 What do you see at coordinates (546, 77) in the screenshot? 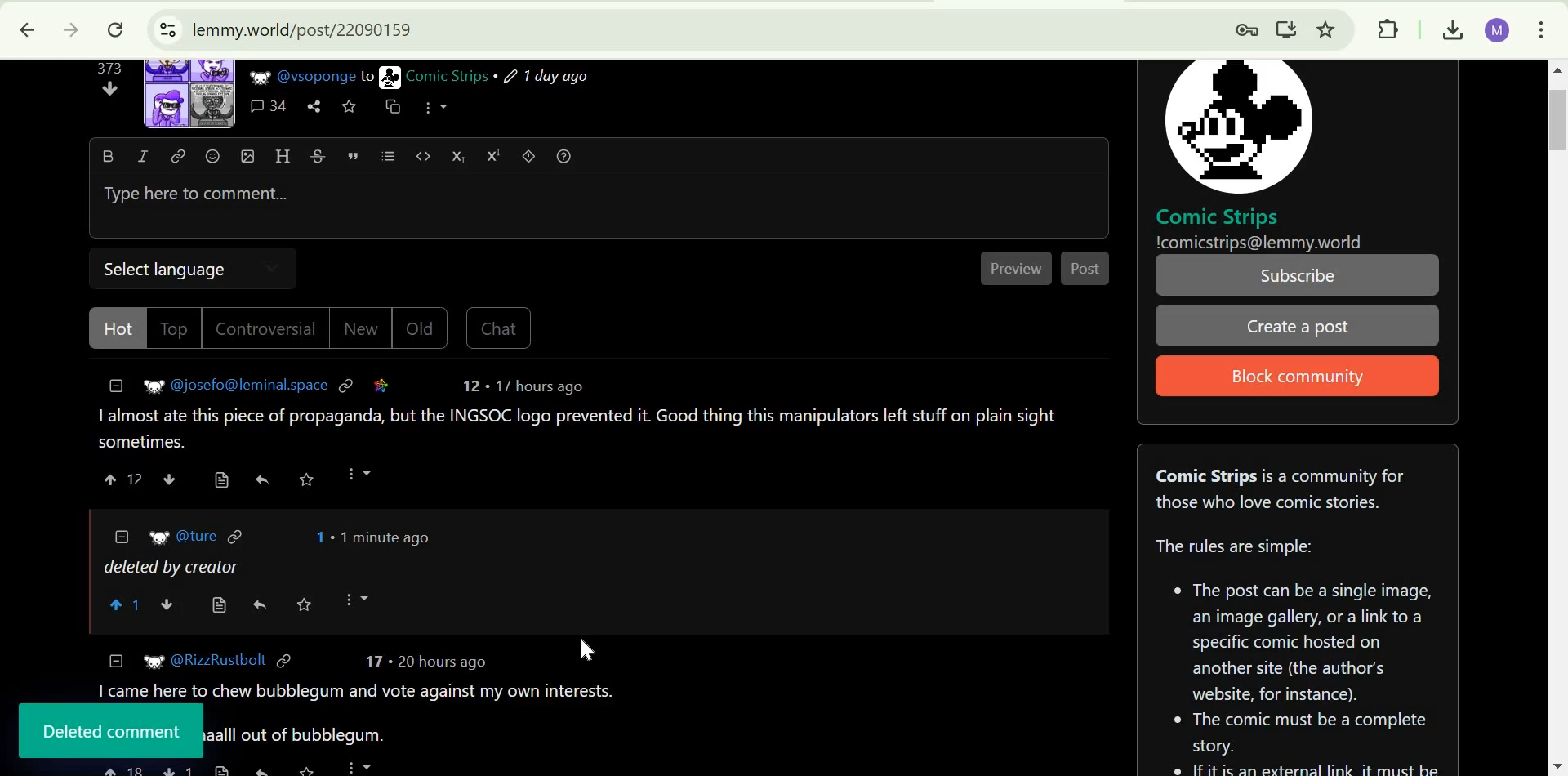
I see `1 day ago` at bounding box center [546, 77].